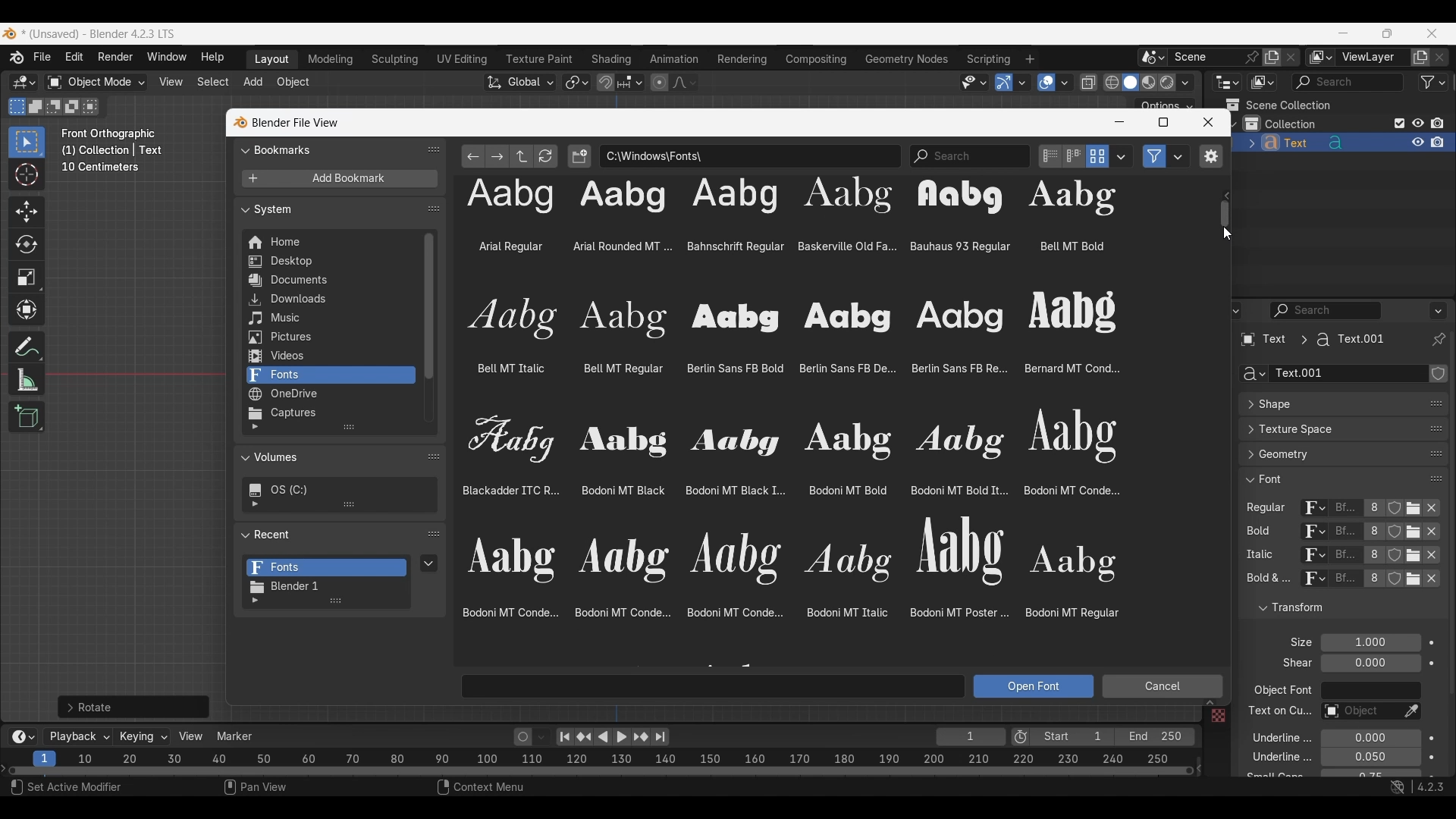 Image resolution: width=1456 pixels, height=819 pixels. What do you see at coordinates (584, 737) in the screenshot?
I see `Jump to key frame` at bounding box center [584, 737].